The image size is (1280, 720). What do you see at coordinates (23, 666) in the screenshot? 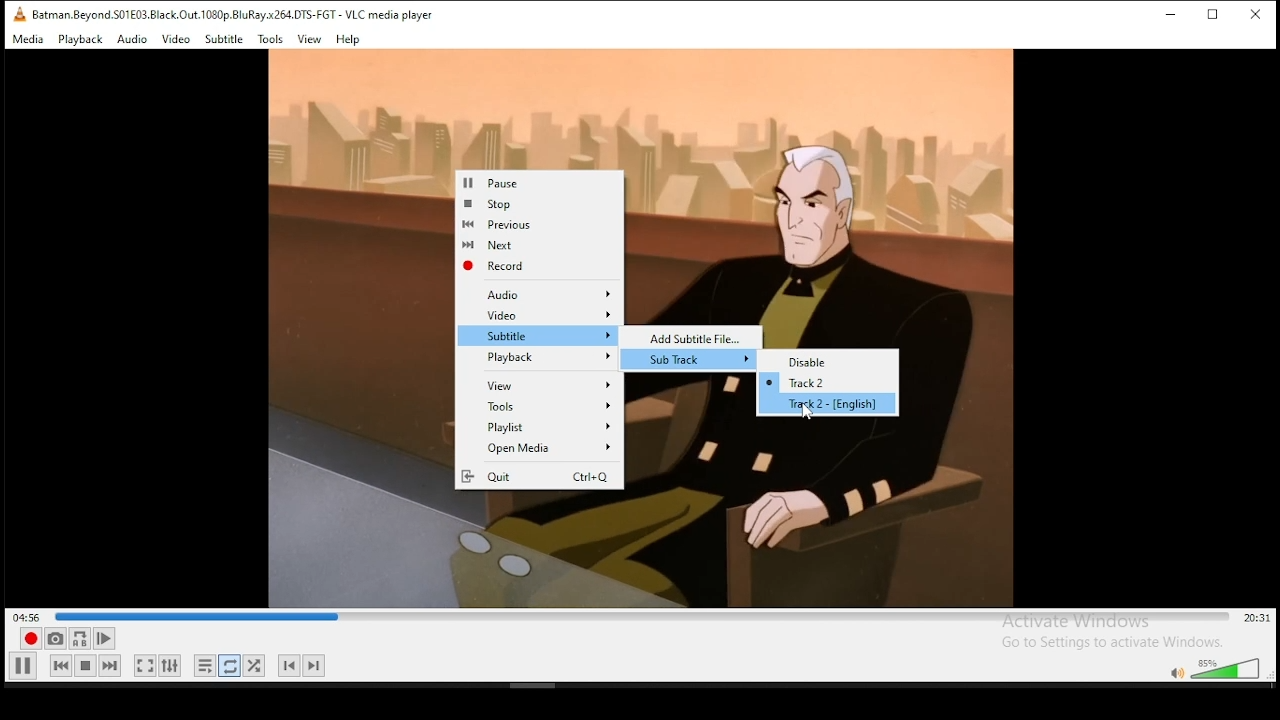
I see `play` at bounding box center [23, 666].